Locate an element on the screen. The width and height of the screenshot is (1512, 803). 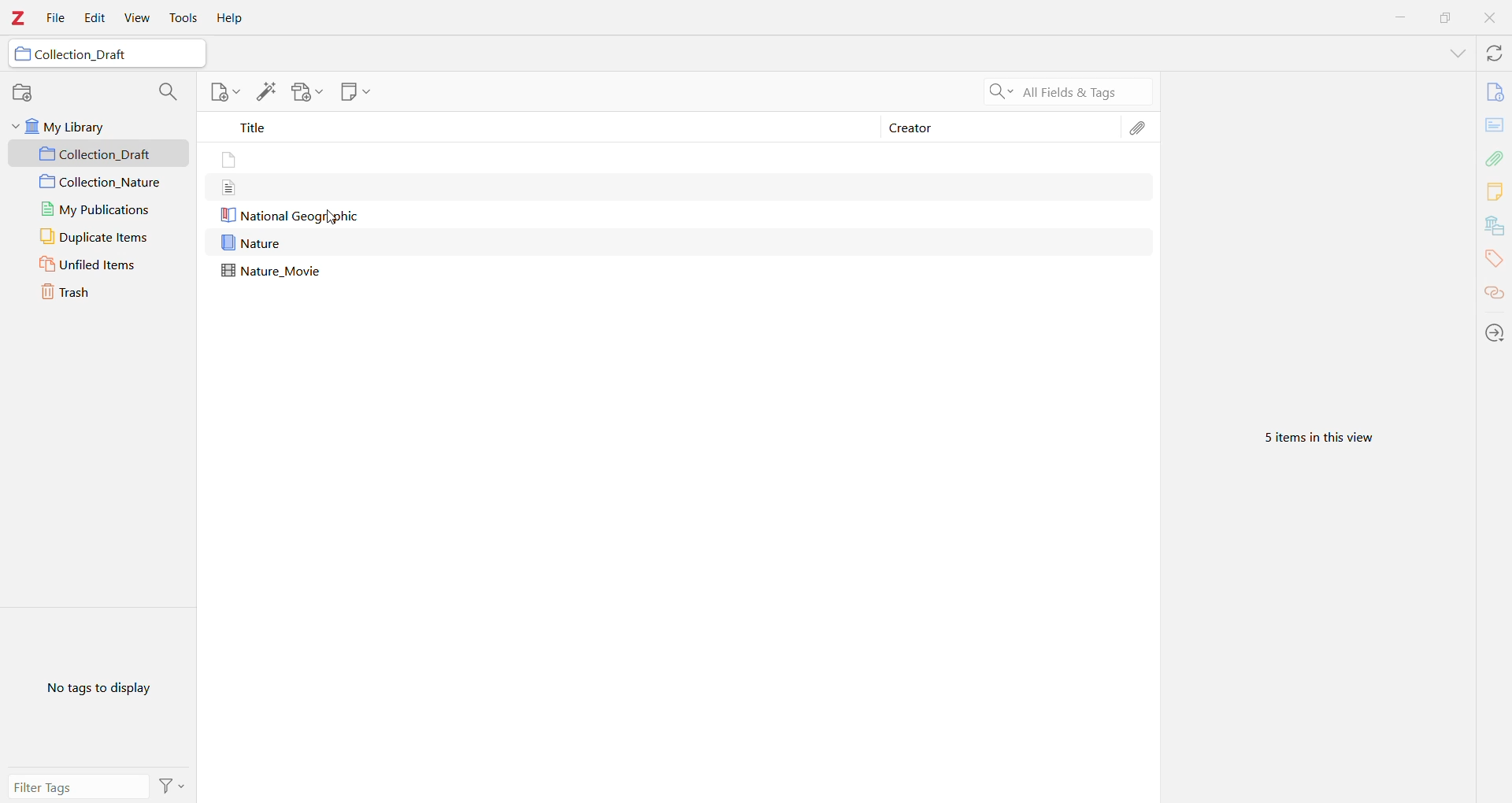
New Item is located at coordinates (224, 94).